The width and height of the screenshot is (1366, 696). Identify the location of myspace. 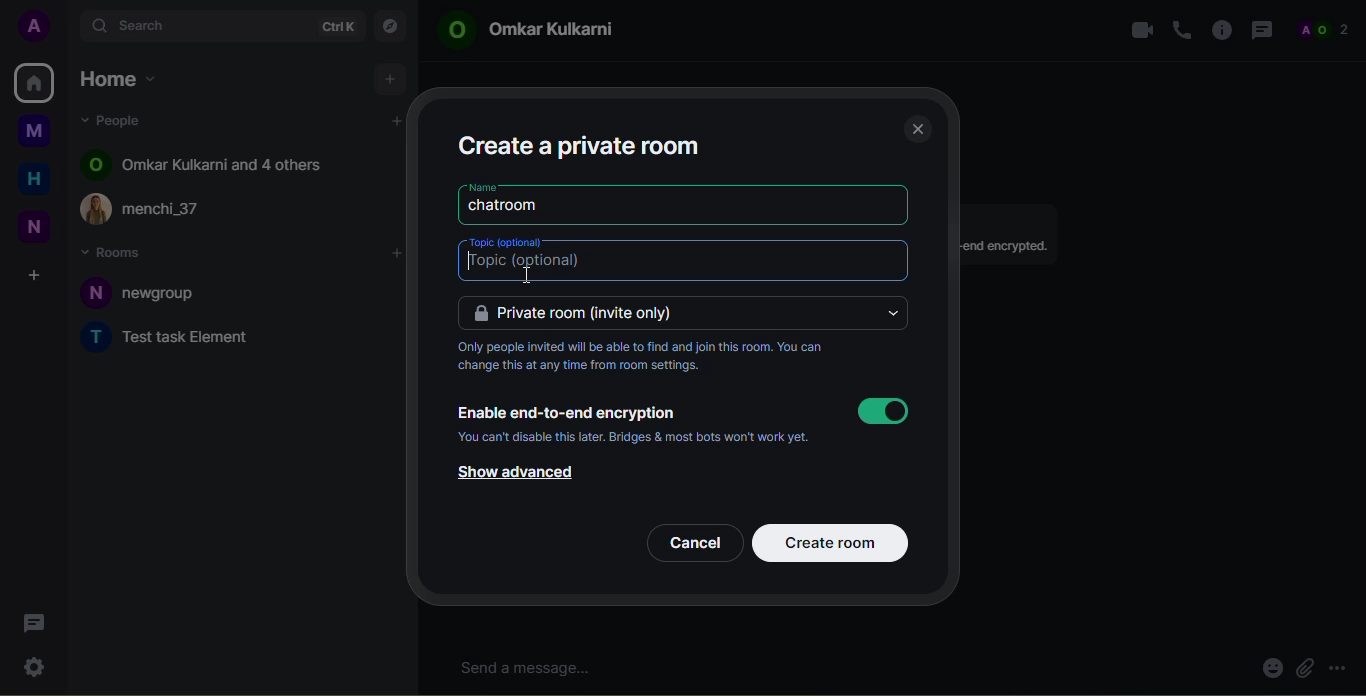
(34, 130).